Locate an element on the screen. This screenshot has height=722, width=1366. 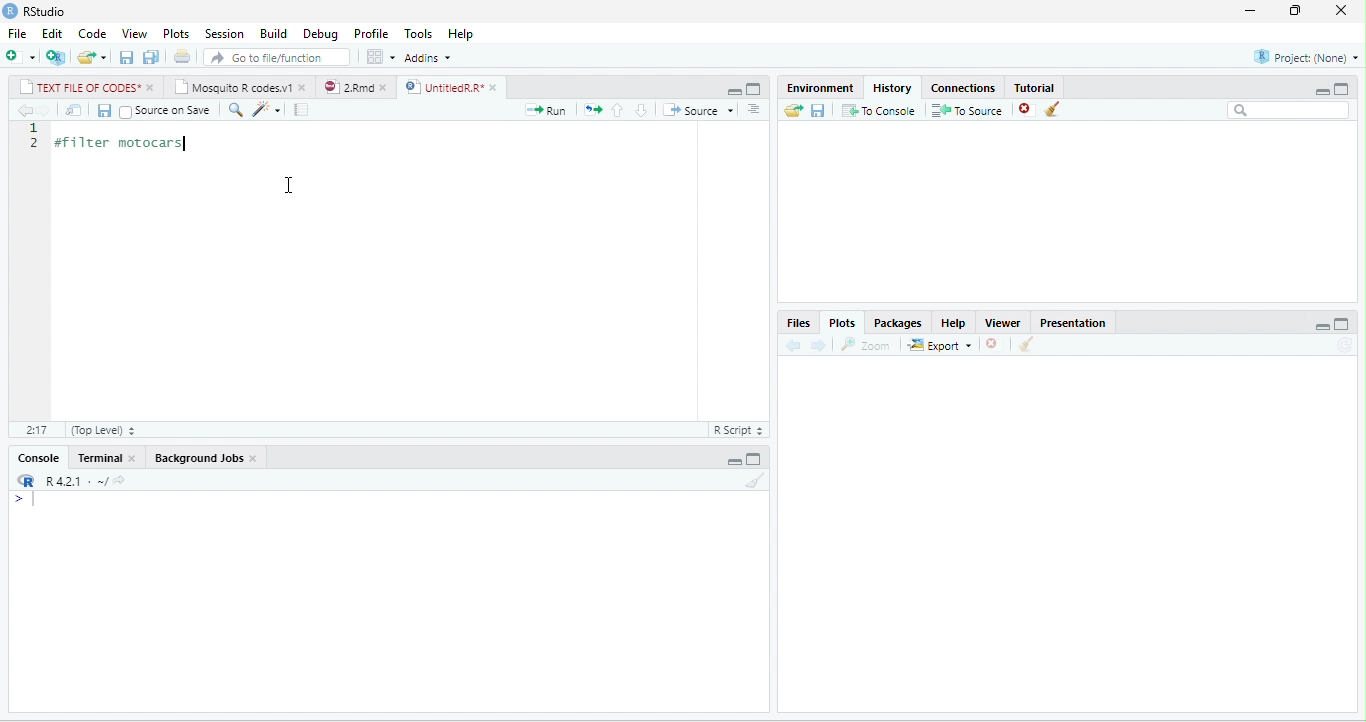
maximize is located at coordinates (1341, 89).